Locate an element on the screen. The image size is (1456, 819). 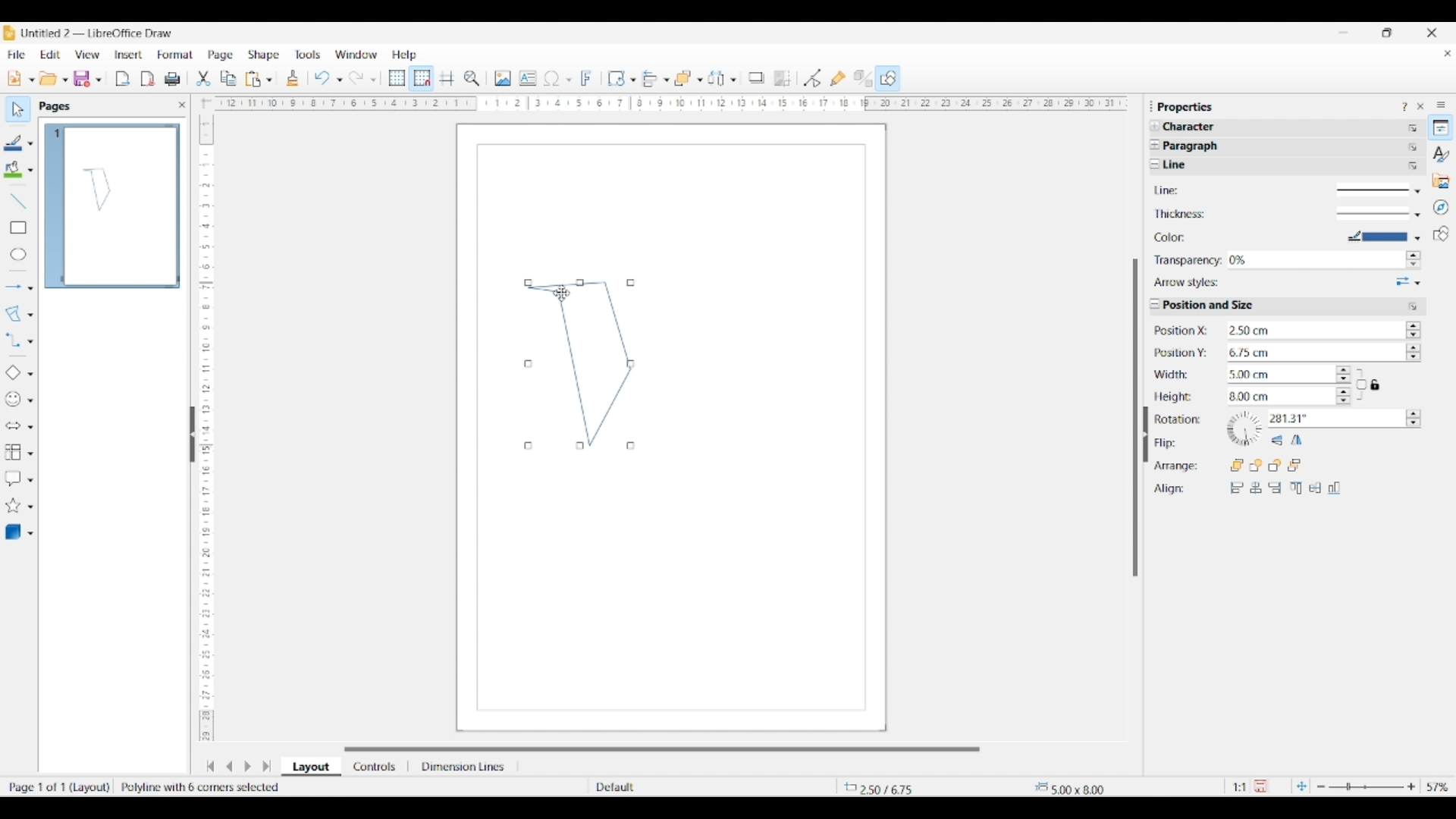
Forward one is located at coordinates (1256, 466).